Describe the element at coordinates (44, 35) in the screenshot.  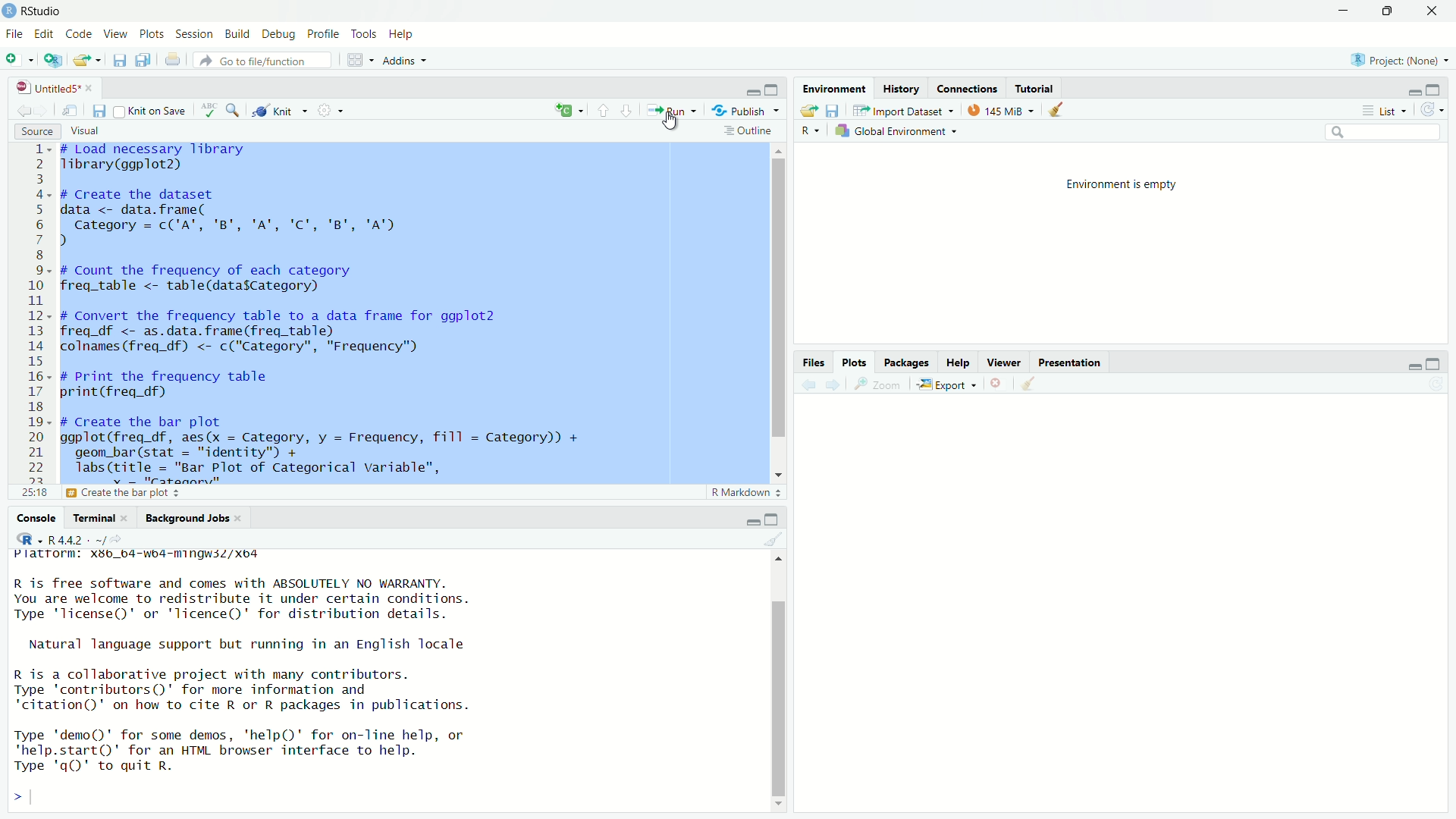
I see `edit` at that location.